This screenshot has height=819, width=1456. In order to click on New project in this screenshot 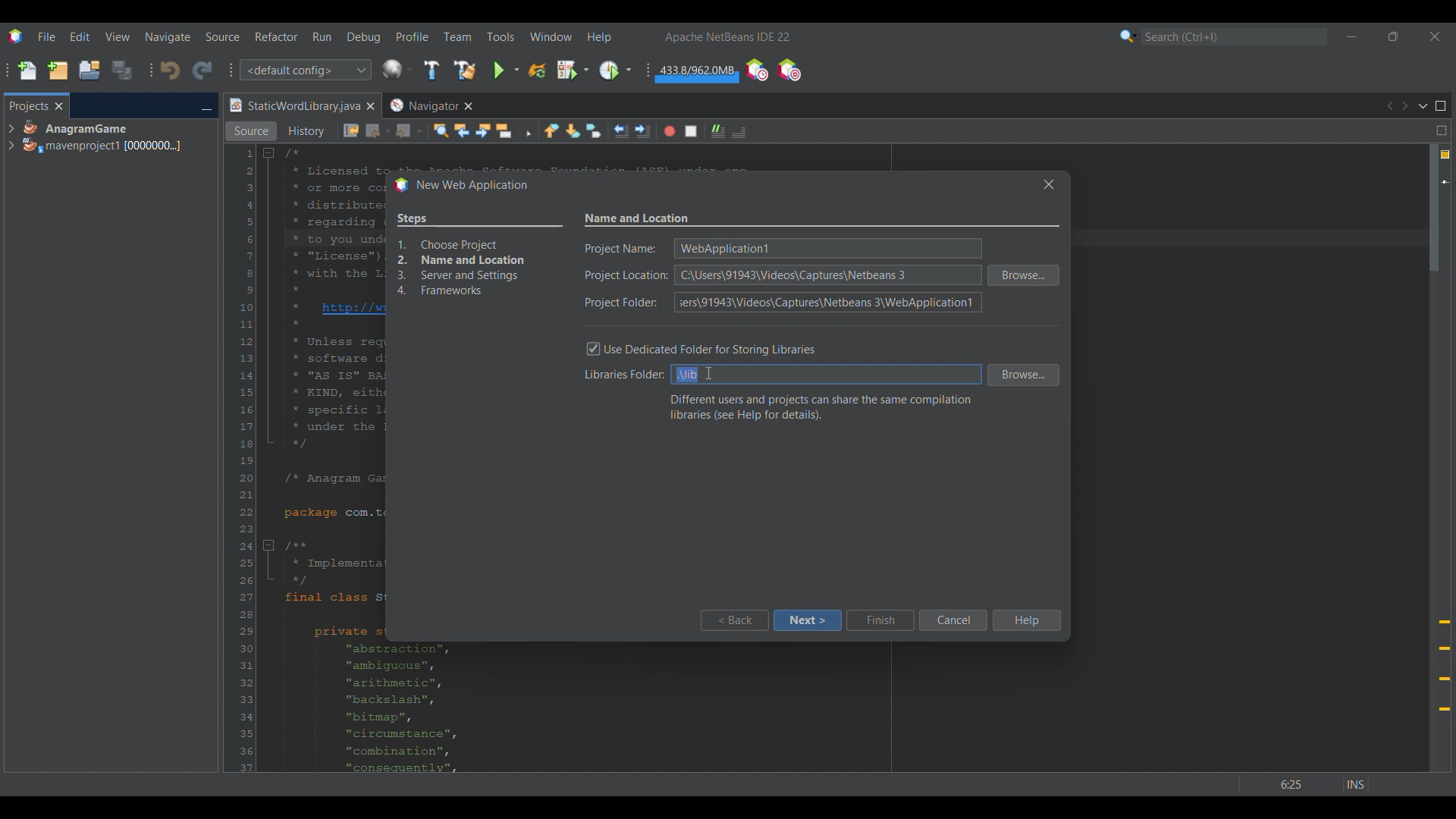, I will do `click(58, 70)`.